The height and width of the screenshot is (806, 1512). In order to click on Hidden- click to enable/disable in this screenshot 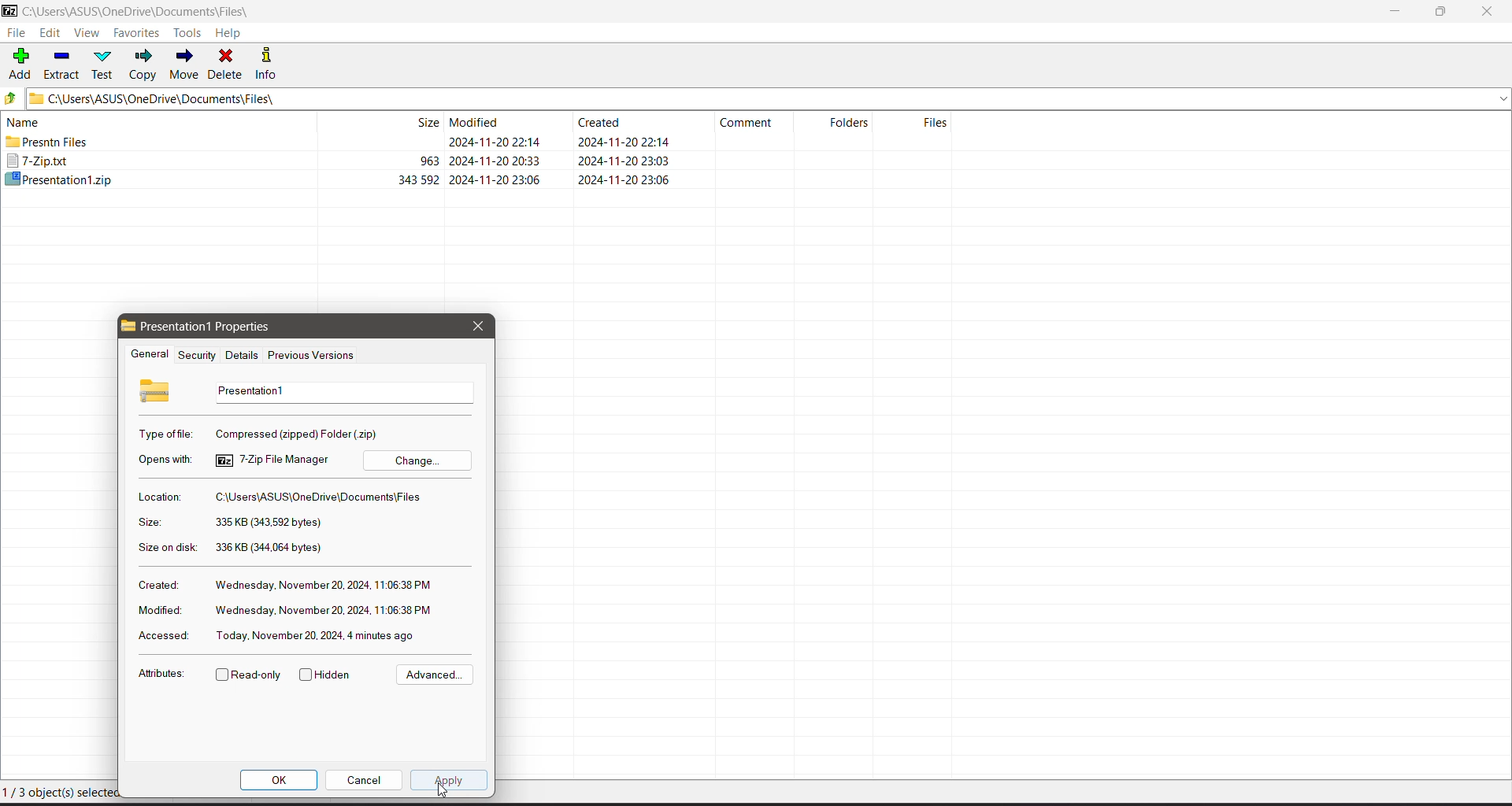, I will do `click(328, 675)`.